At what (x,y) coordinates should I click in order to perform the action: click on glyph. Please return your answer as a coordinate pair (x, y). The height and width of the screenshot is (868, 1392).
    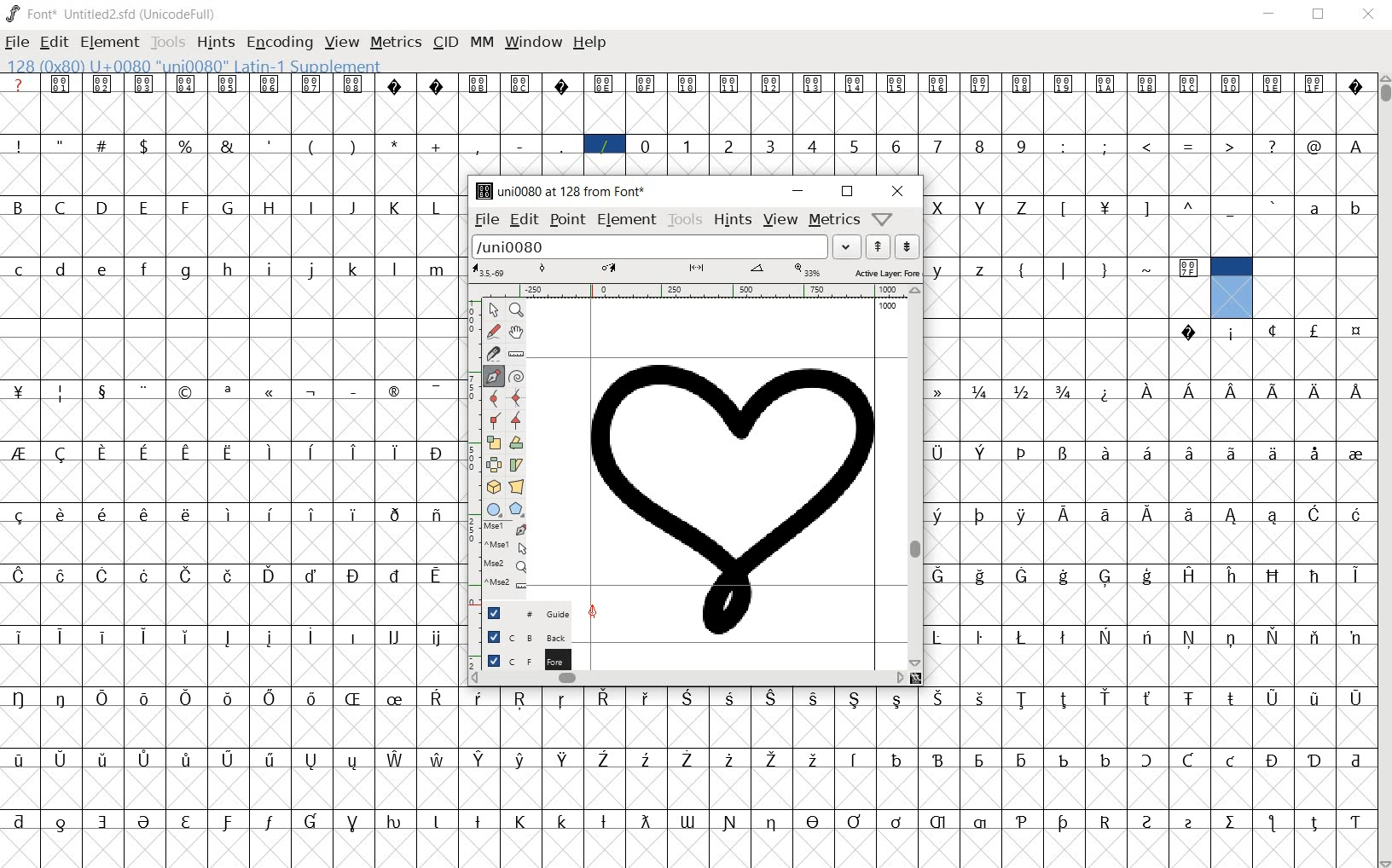
    Looking at the image, I should click on (61, 394).